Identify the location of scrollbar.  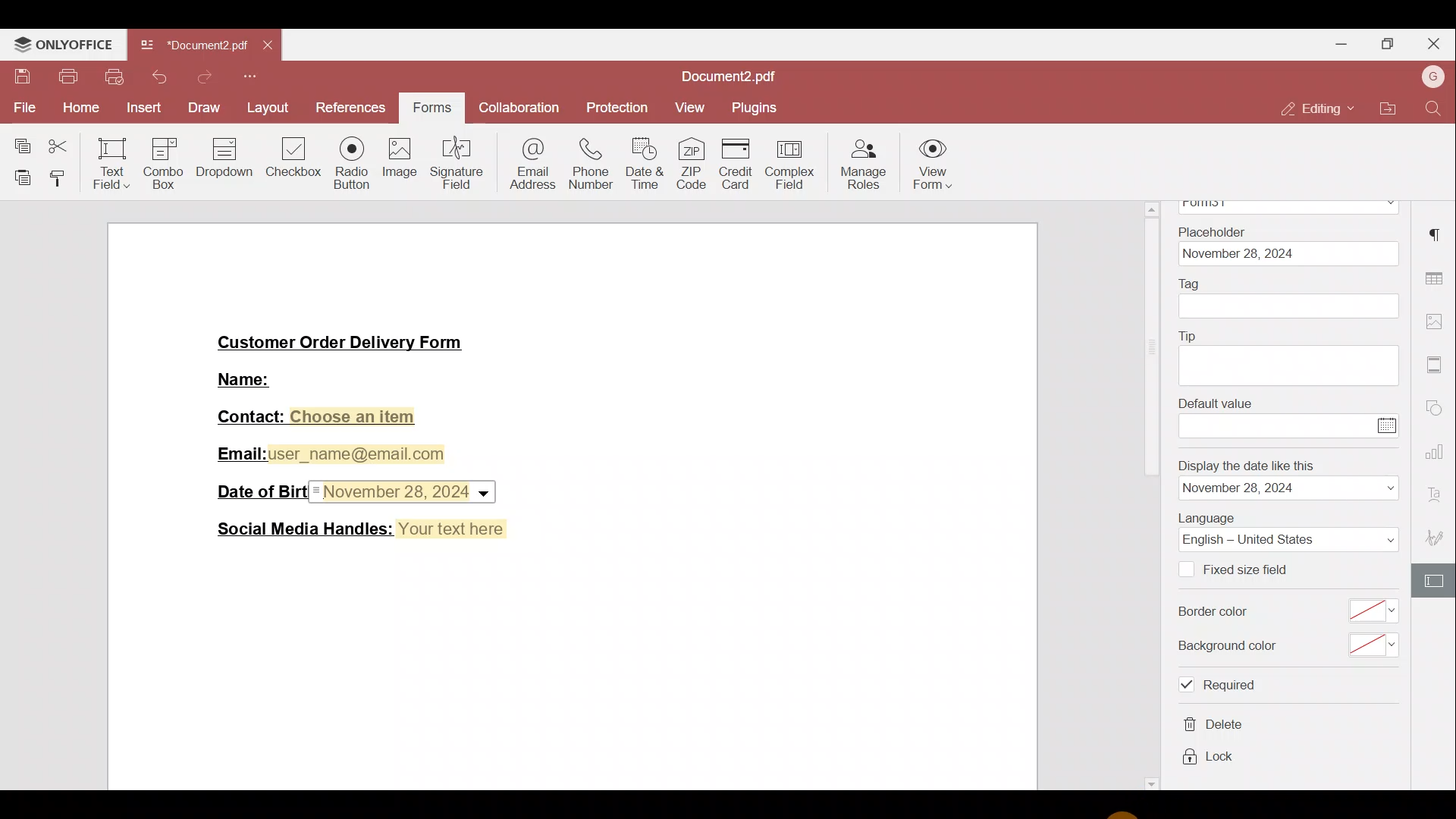
(1153, 496).